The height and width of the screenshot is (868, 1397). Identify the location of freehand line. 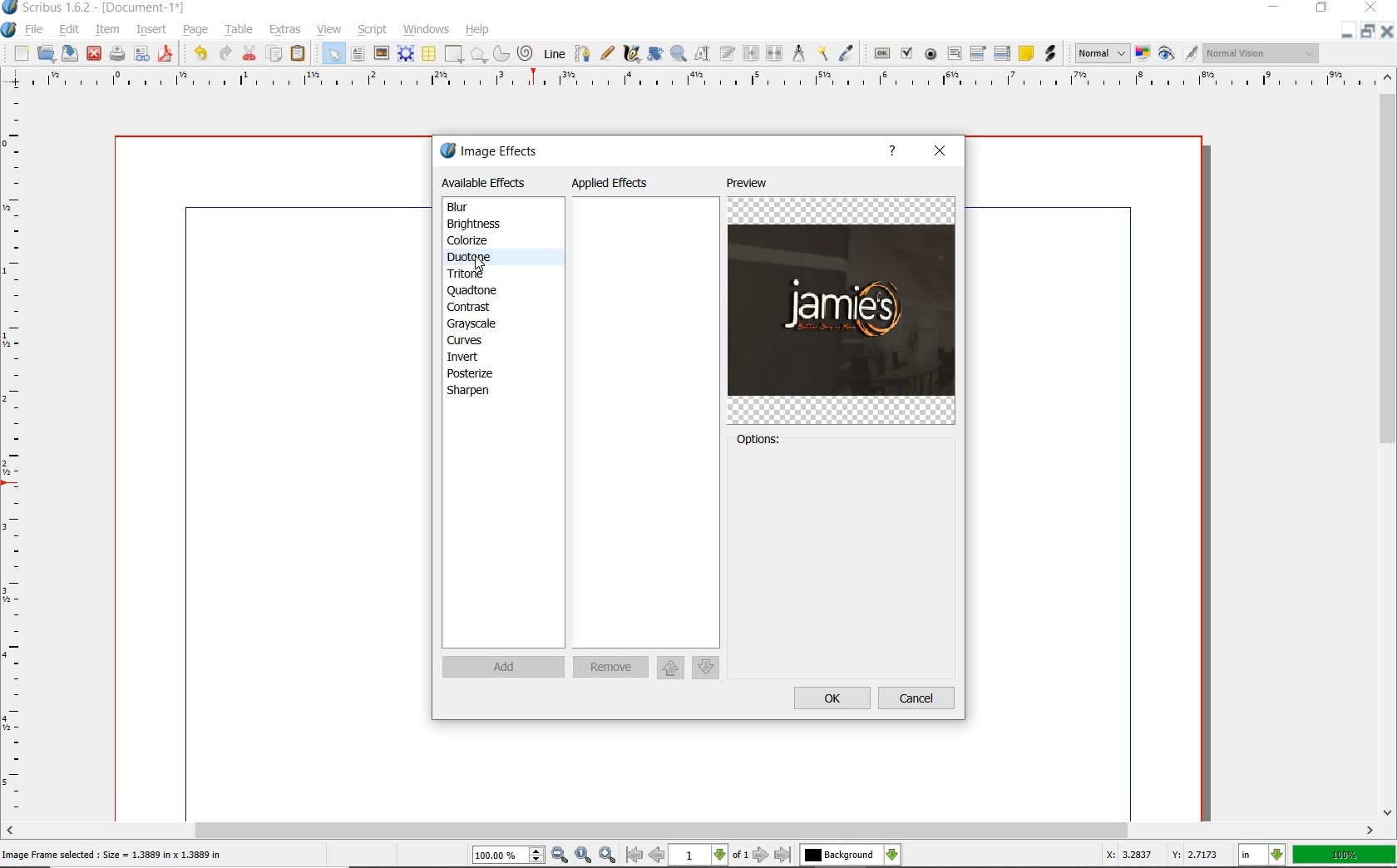
(606, 55).